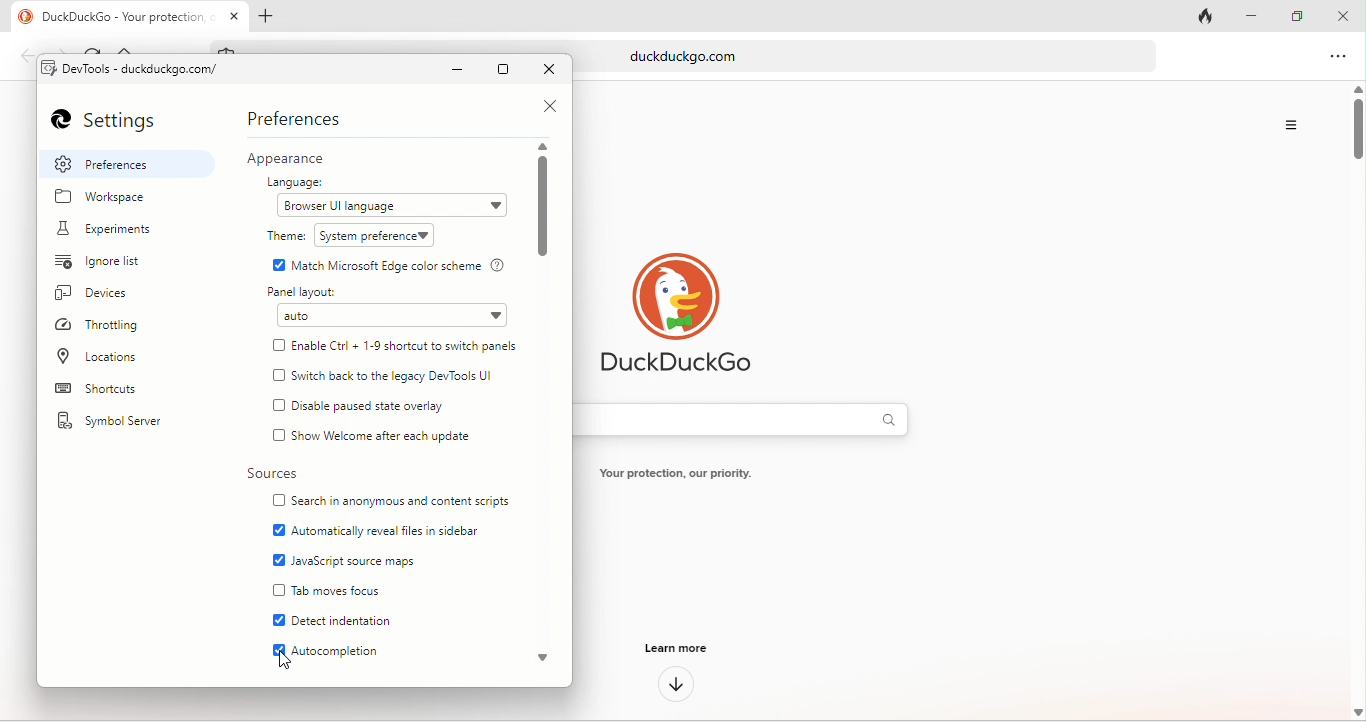  What do you see at coordinates (544, 209) in the screenshot?
I see `vertical scroll bar` at bounding box center [544, 209].